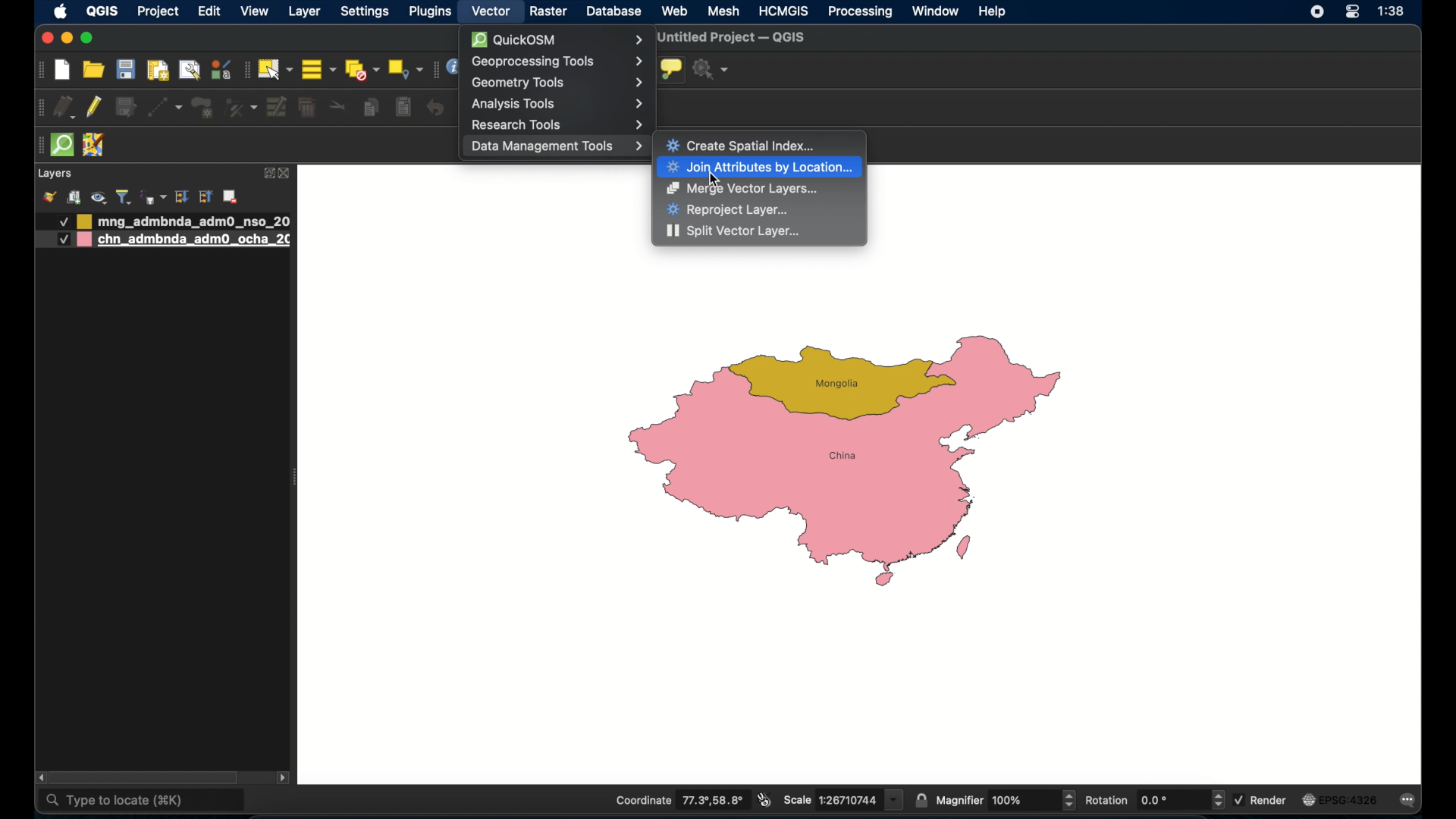  I want to click on information, so click(453, 71).